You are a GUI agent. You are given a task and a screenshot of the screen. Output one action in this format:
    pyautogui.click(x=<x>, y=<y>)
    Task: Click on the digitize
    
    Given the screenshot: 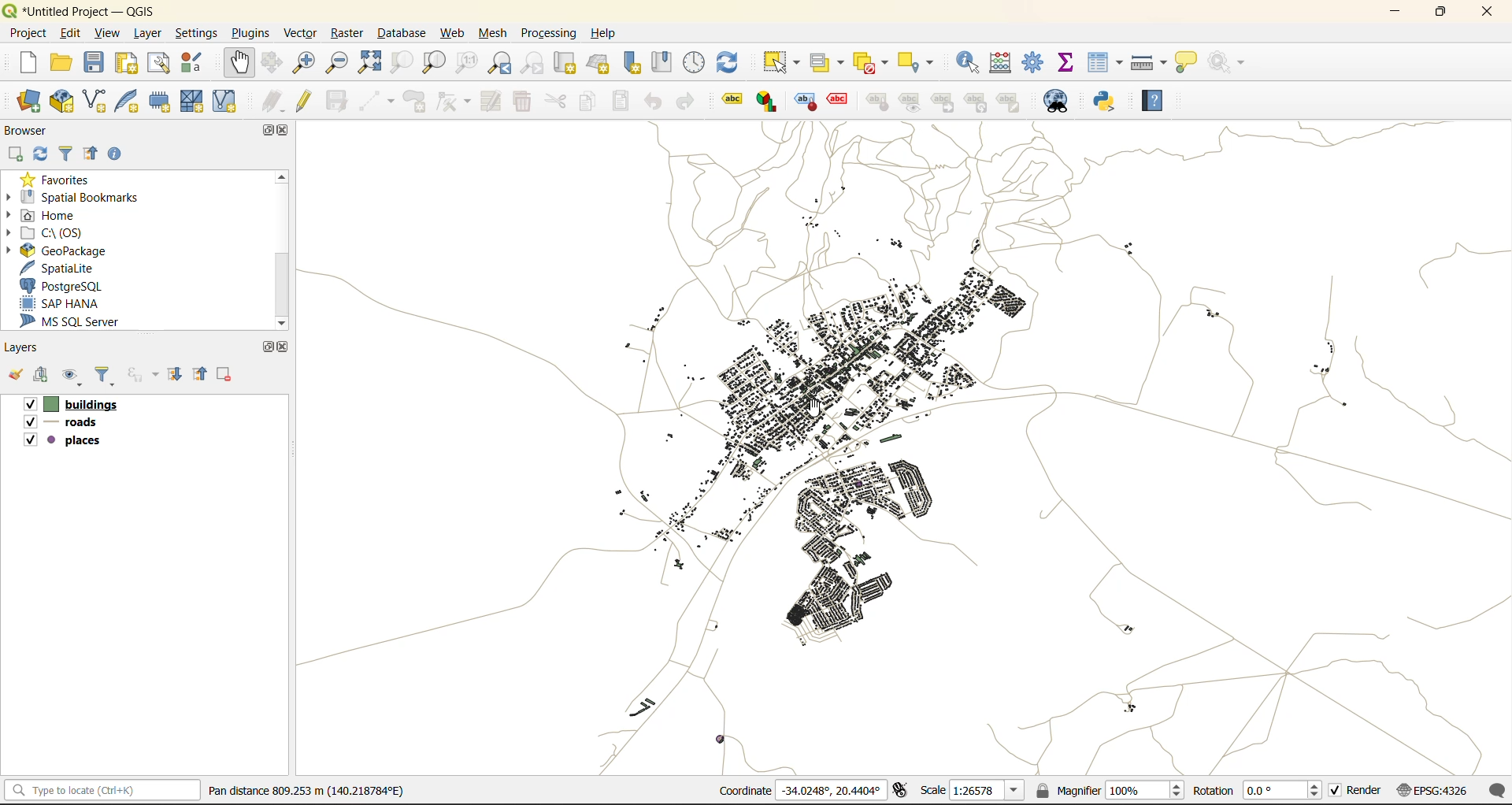 What is the action you would take?
    pyautogui.click(x=376, y=99)
    